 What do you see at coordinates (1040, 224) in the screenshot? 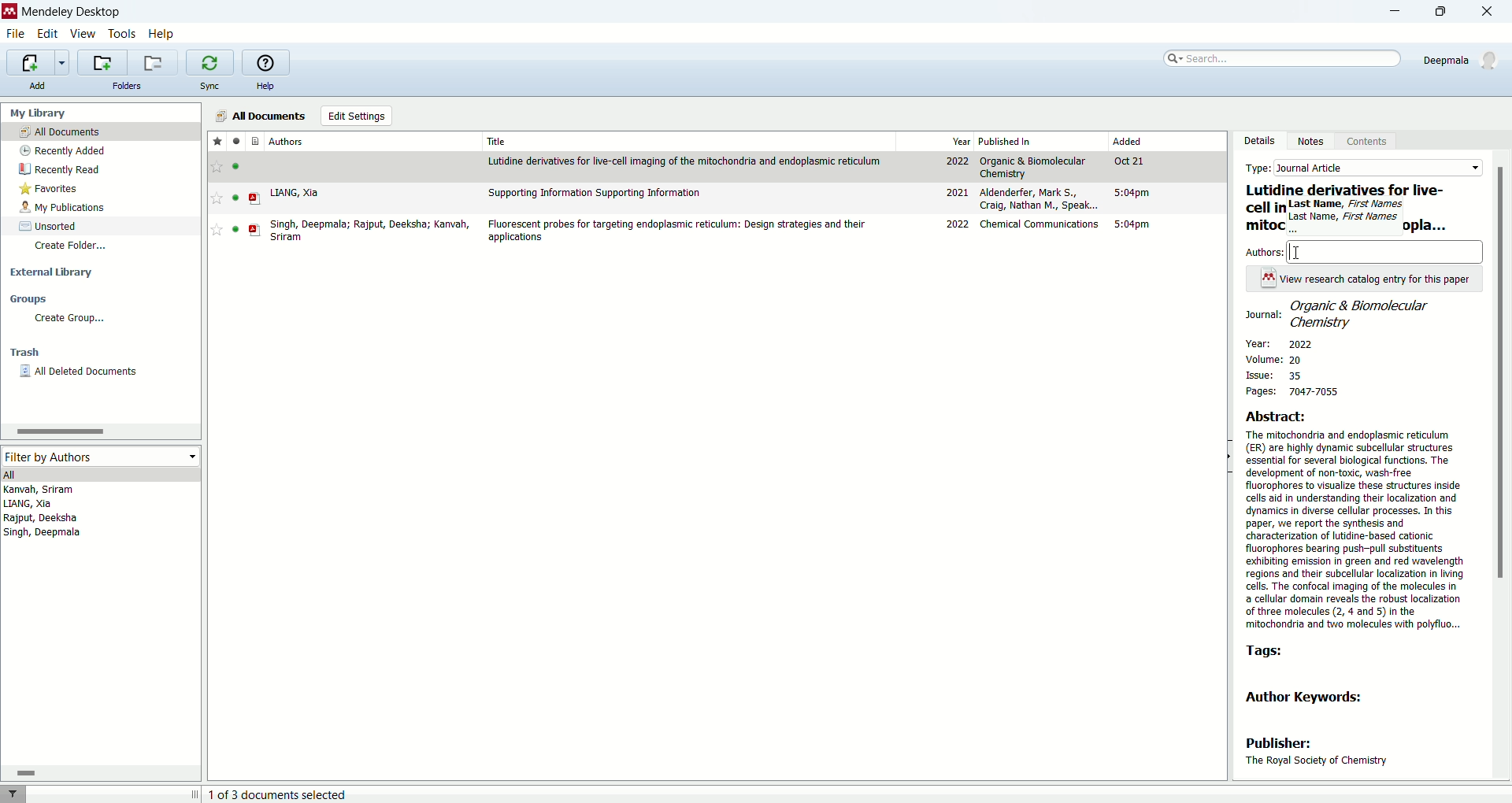
I see `Chemical Communications` at bounding box center [1040, 224].